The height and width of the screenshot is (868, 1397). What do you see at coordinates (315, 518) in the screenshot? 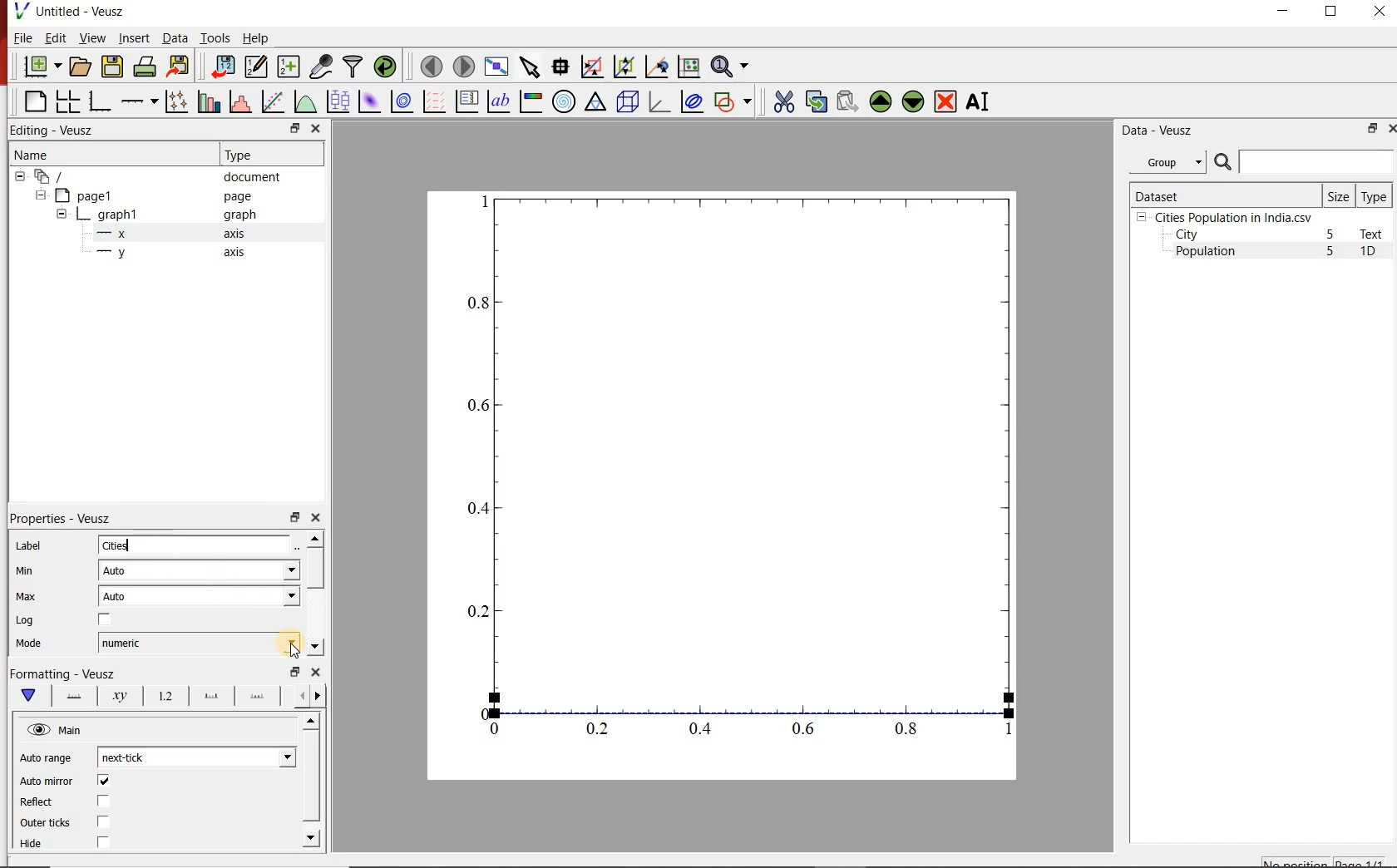
I see `close` at bounding box center [315, 518].